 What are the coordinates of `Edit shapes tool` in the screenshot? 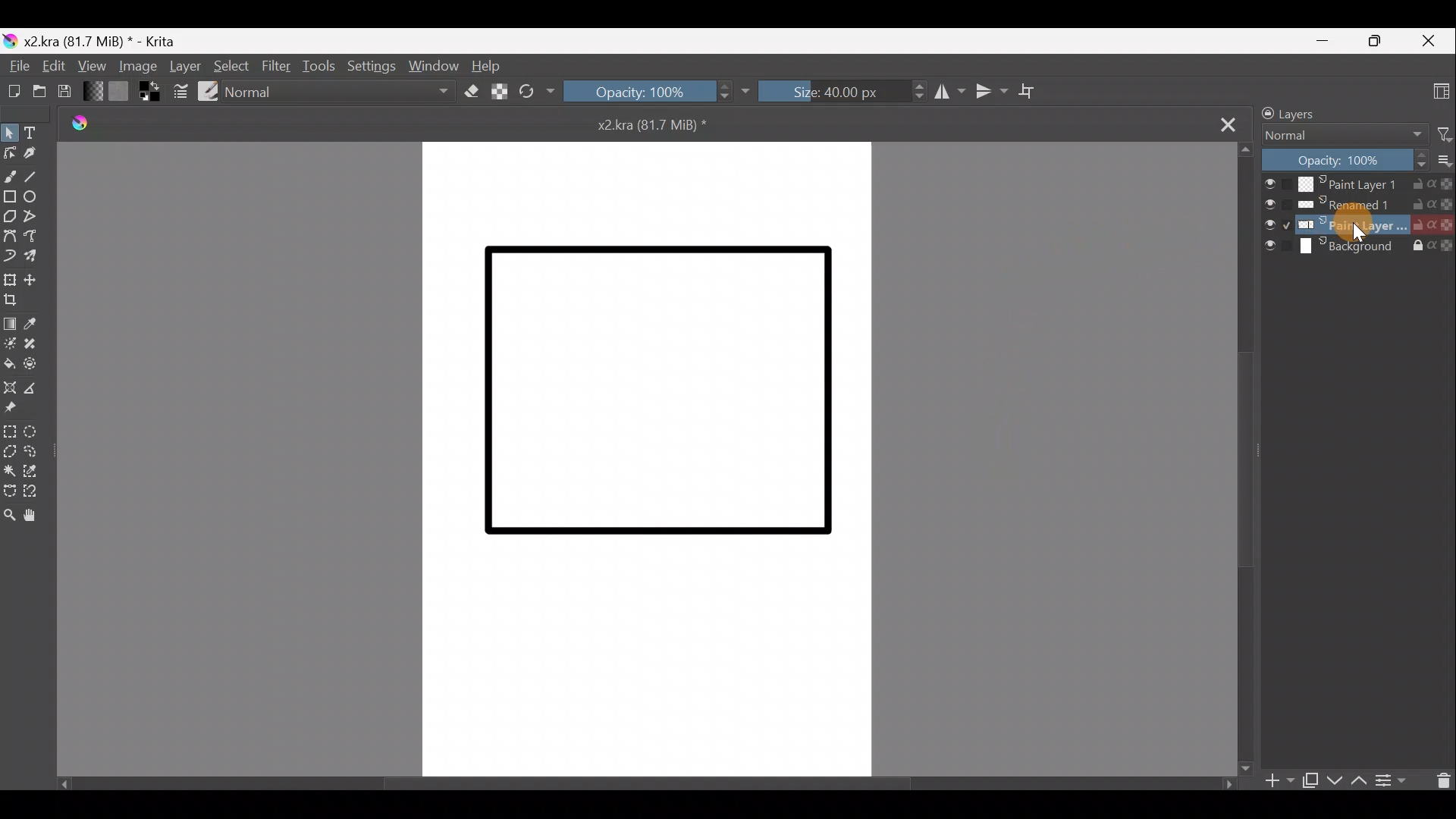 It's located at (11, 152).